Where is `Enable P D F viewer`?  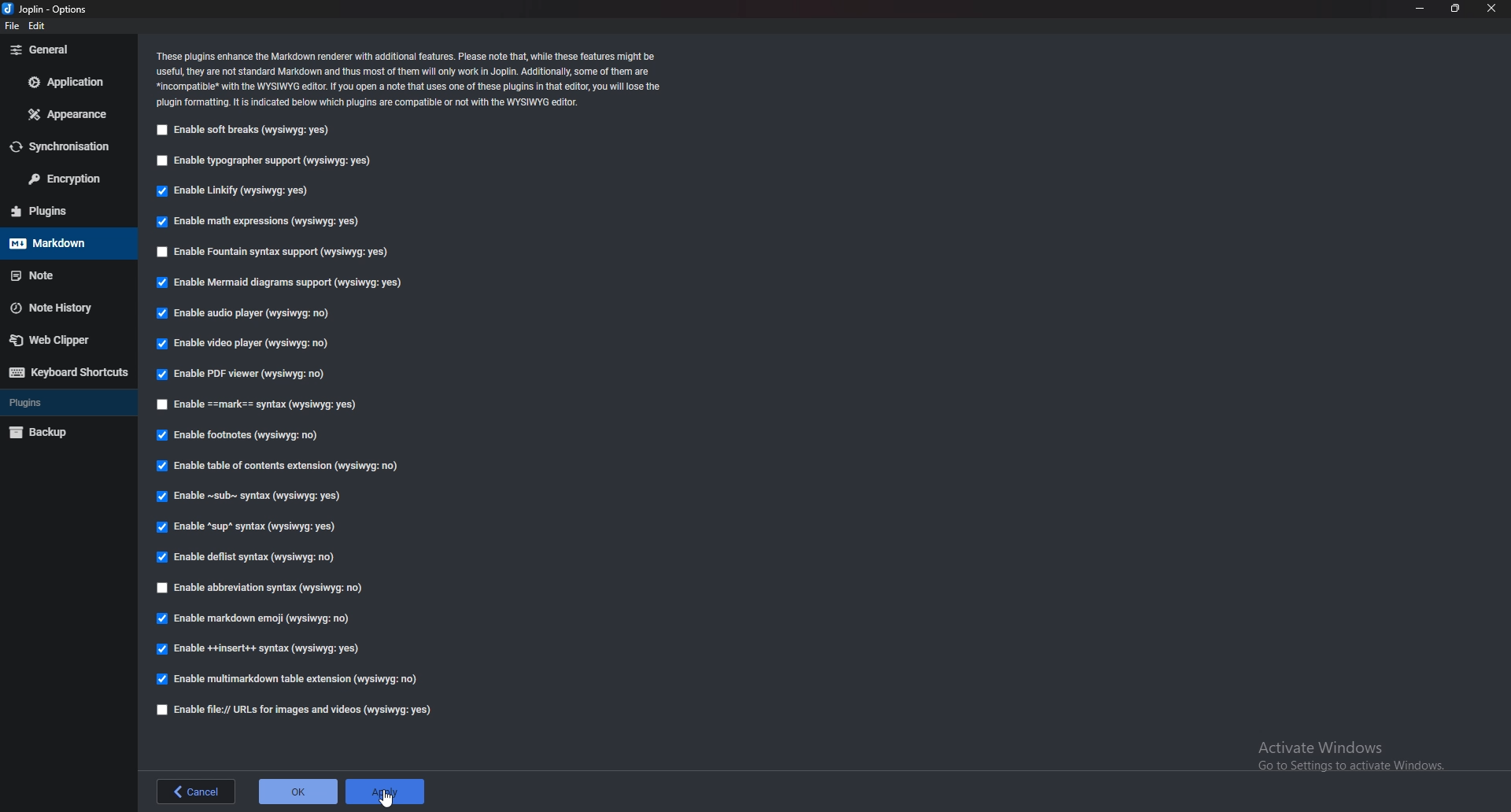
Enable P D F viewer is located at coordinates (243, 374).